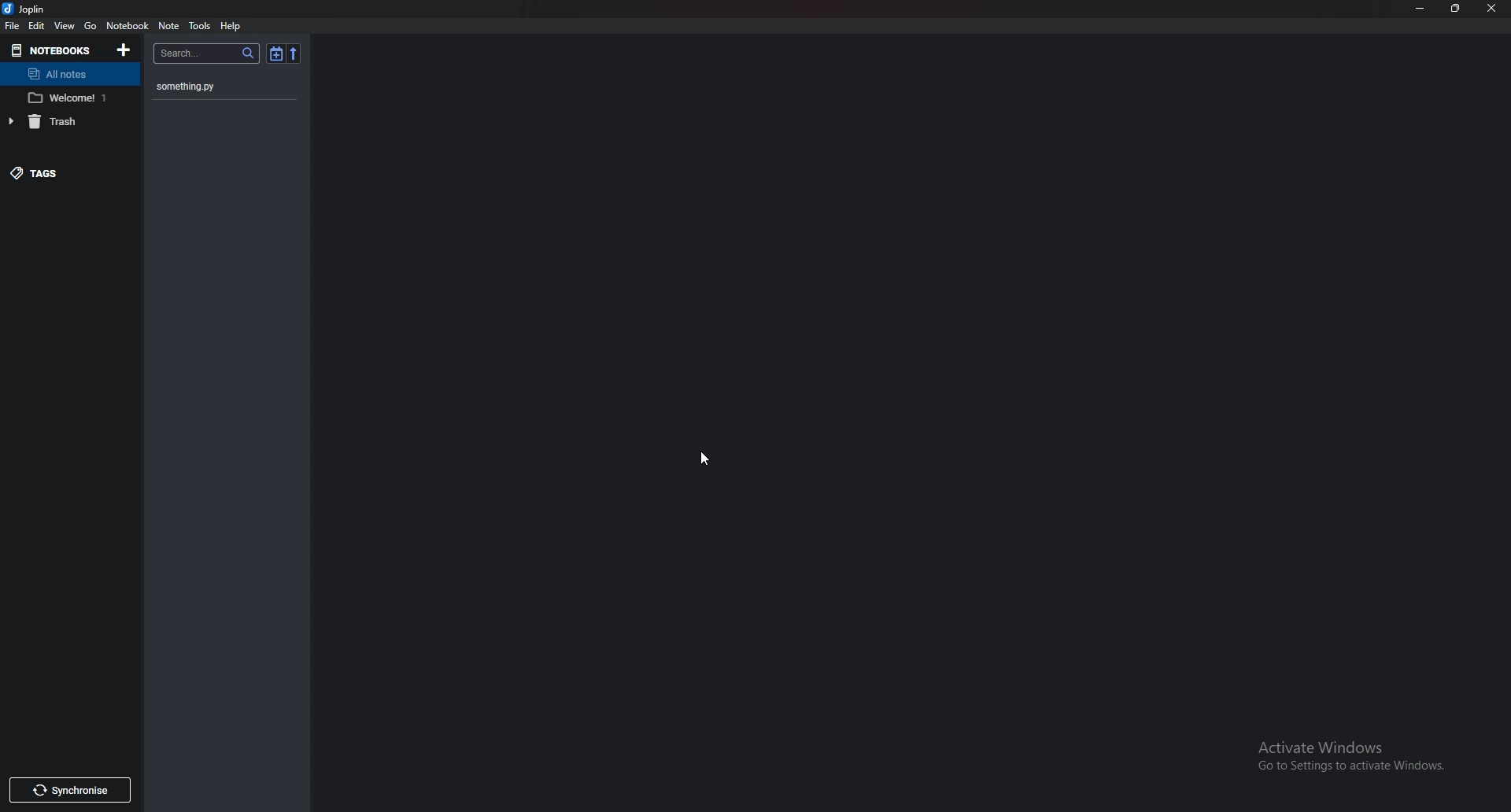 This screenshot has width=1511, height=812. I want to click on Tags, so click(57, 174).